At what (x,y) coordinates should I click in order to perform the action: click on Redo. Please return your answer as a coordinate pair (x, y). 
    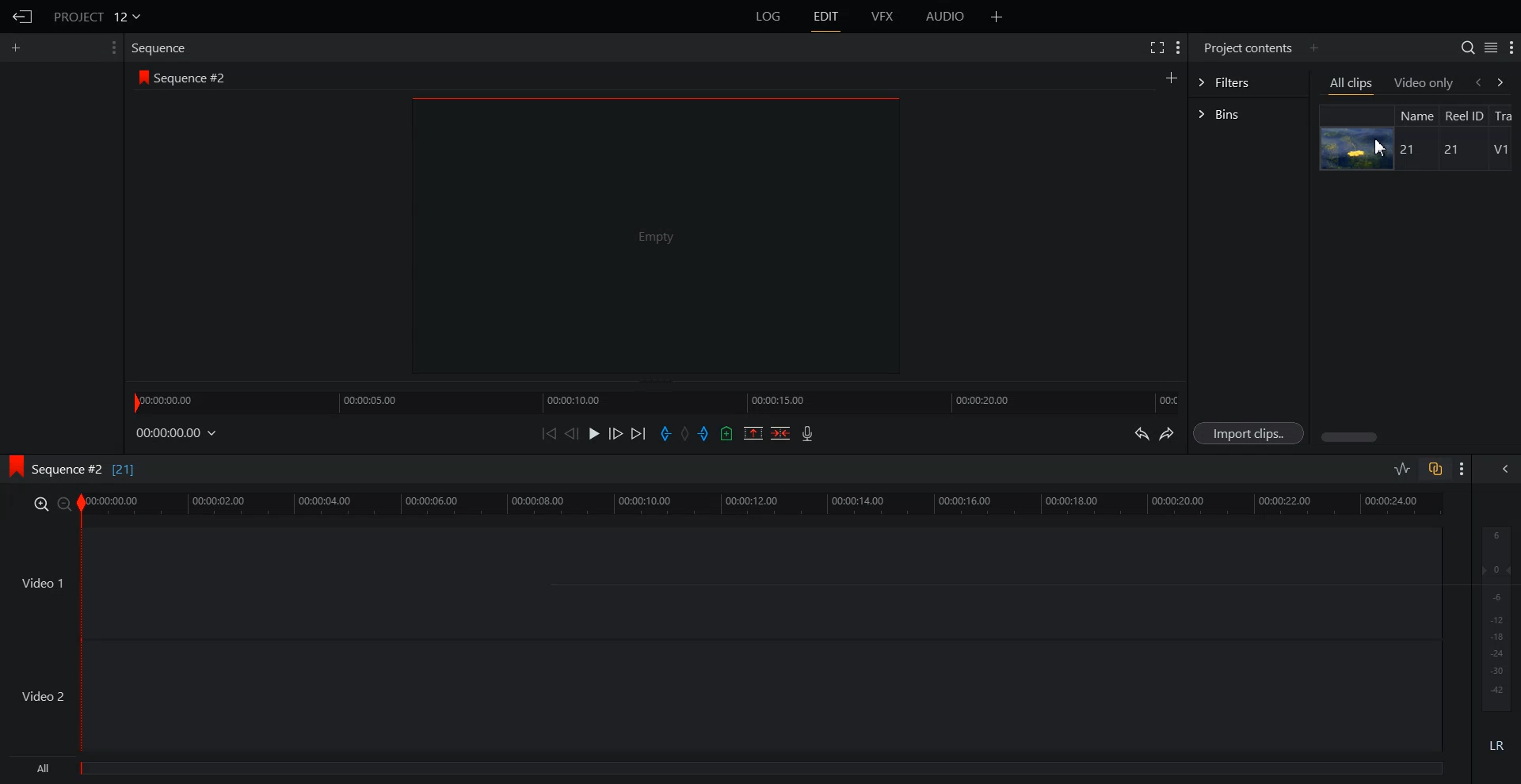
    Looking at the image, I should click on (1167, 433).